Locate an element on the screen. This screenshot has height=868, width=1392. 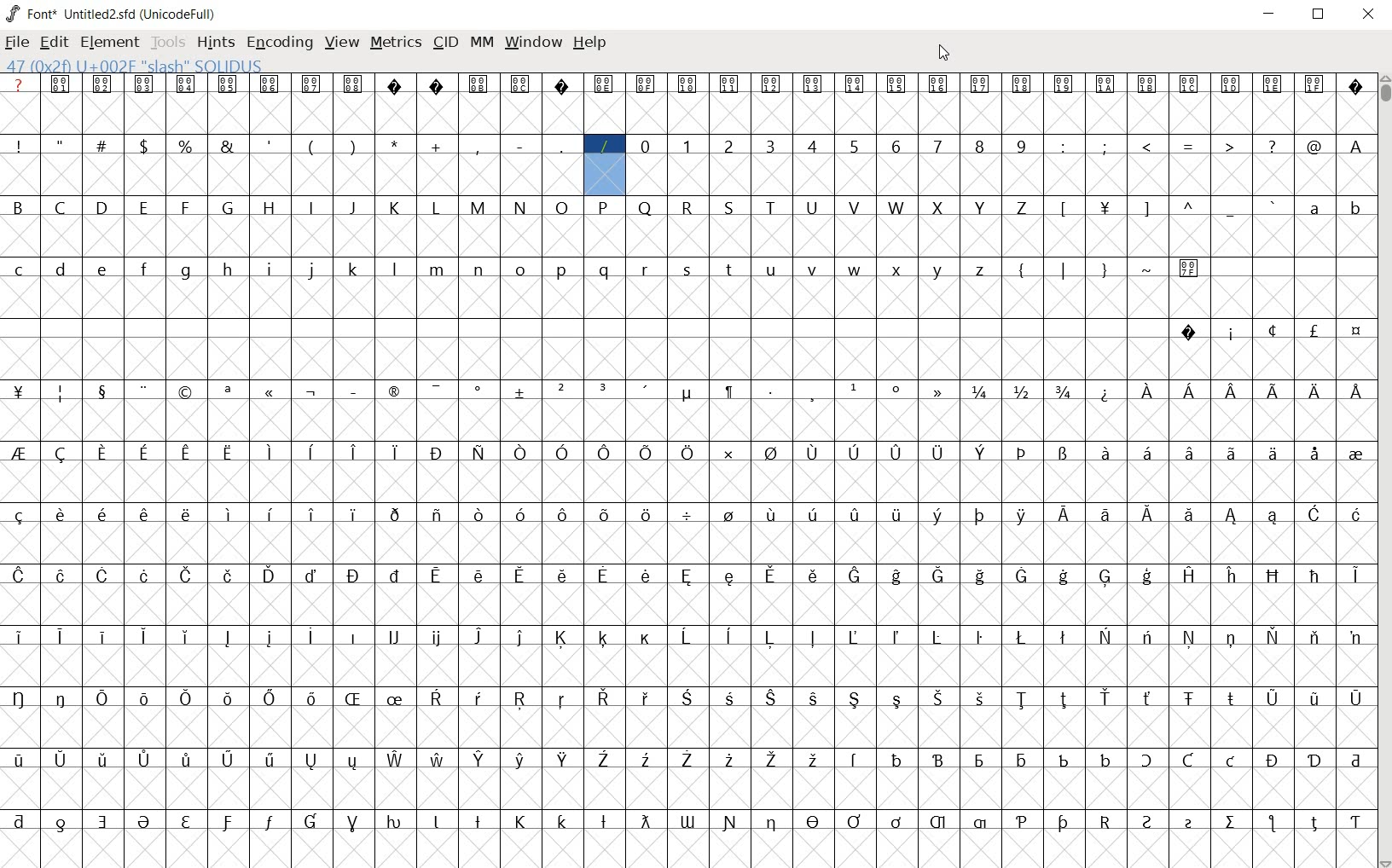
glyph is located at coordinates (937, 454).